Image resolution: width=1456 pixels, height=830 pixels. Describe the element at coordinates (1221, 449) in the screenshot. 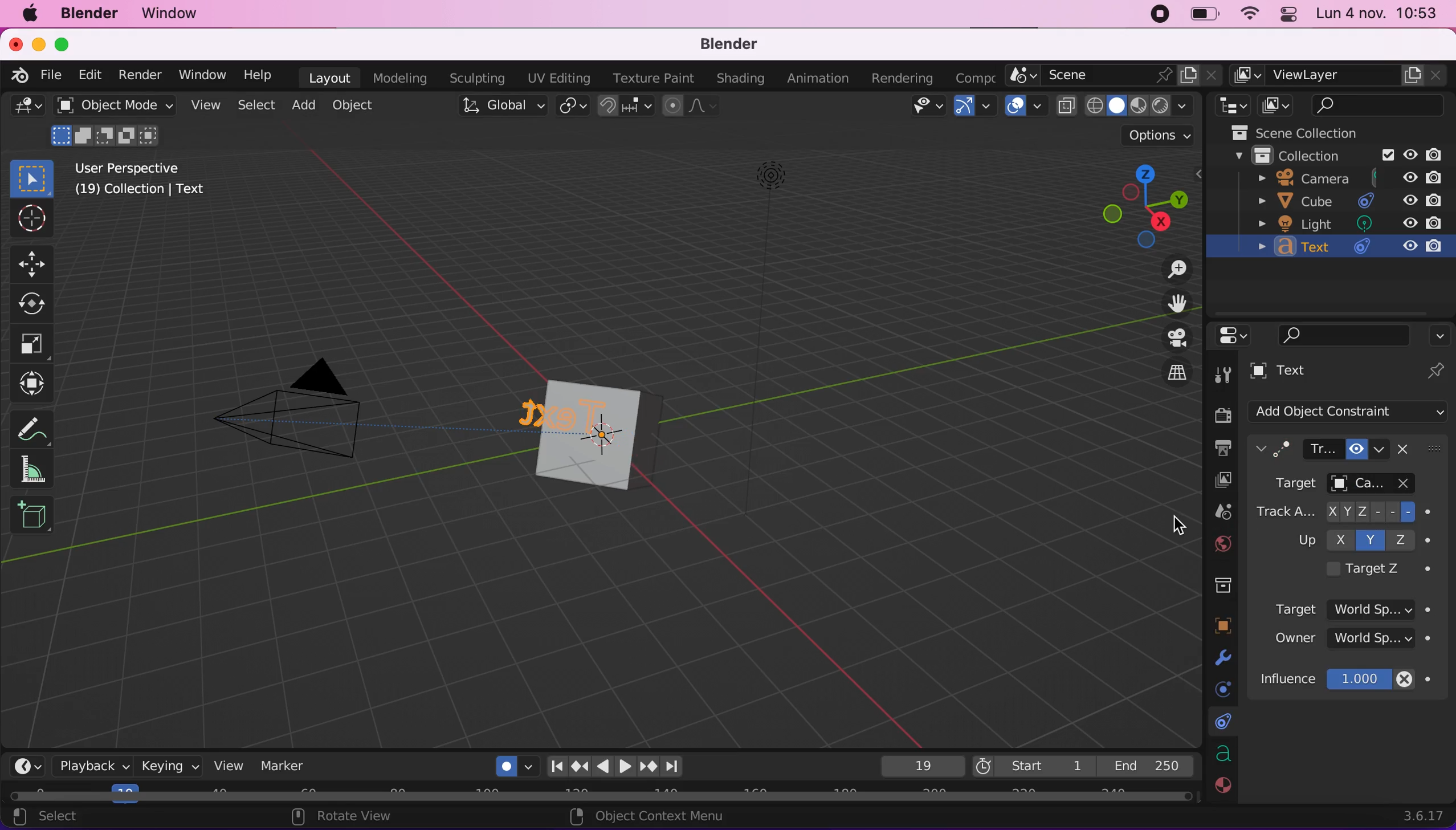

I see `output` at that location.